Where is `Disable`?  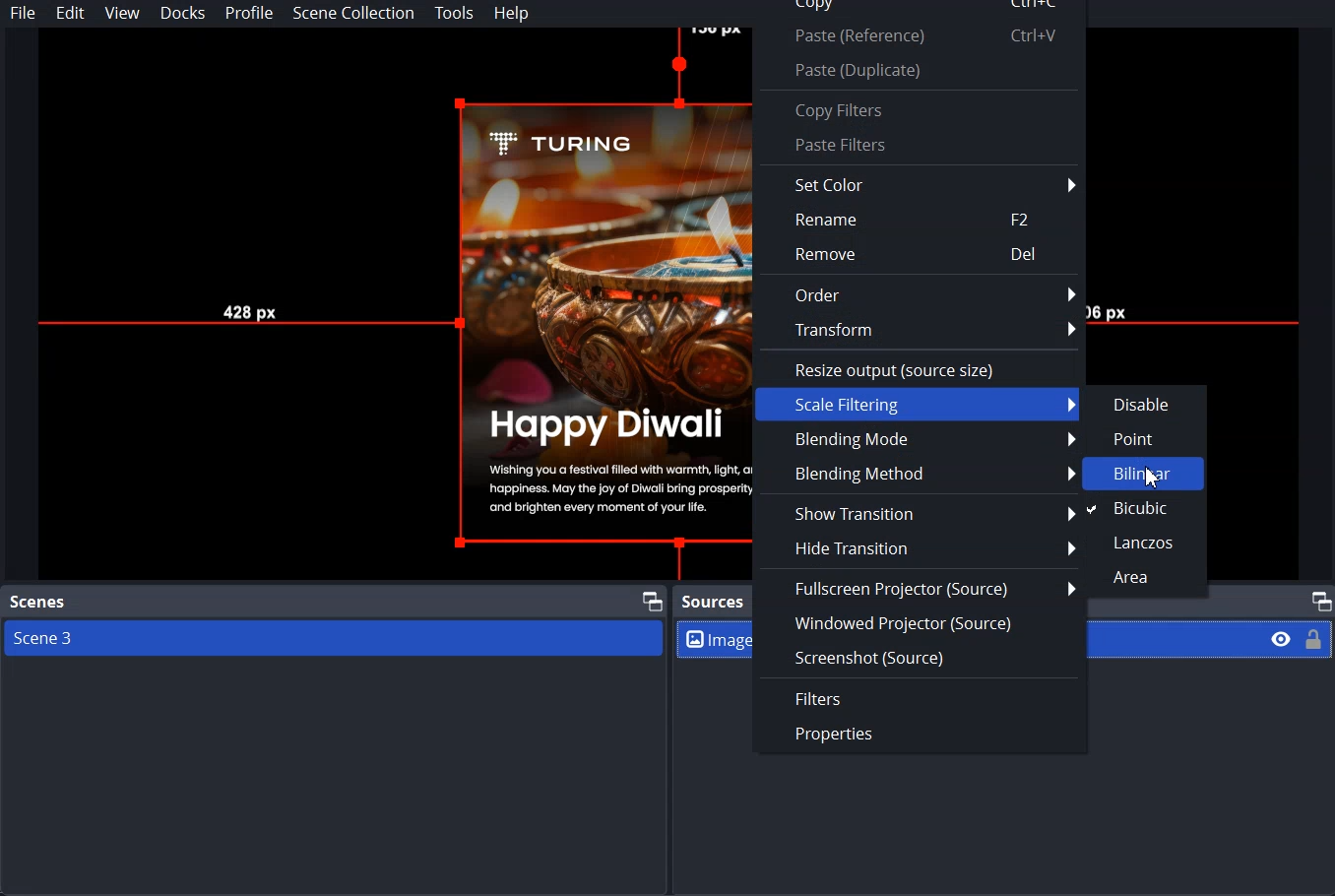 Disable is located at coordinates (1144, 402).